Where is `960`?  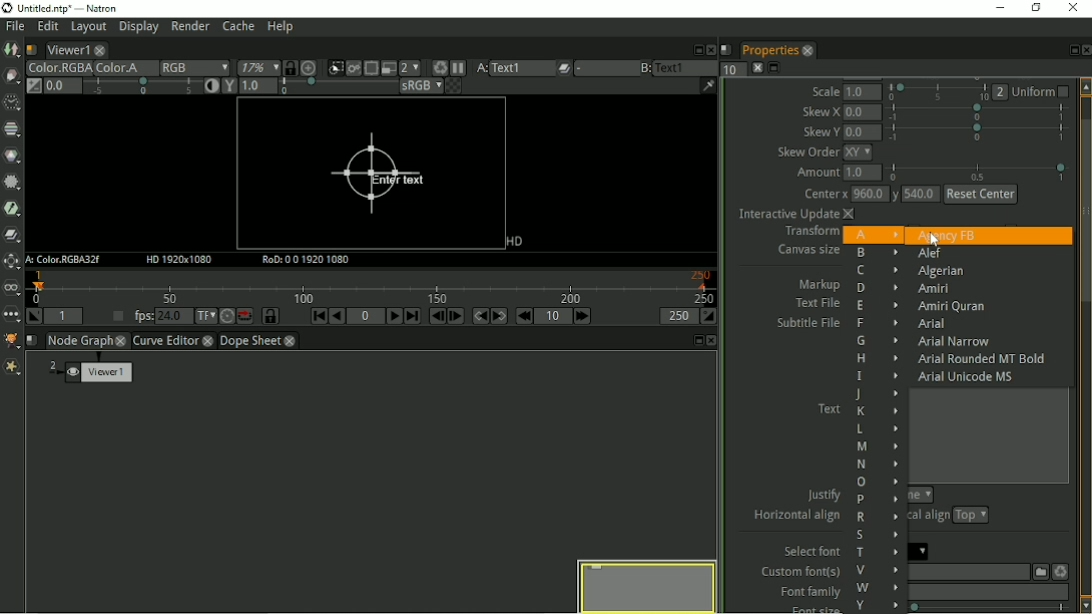 960 is located at coordinates (868, 194).